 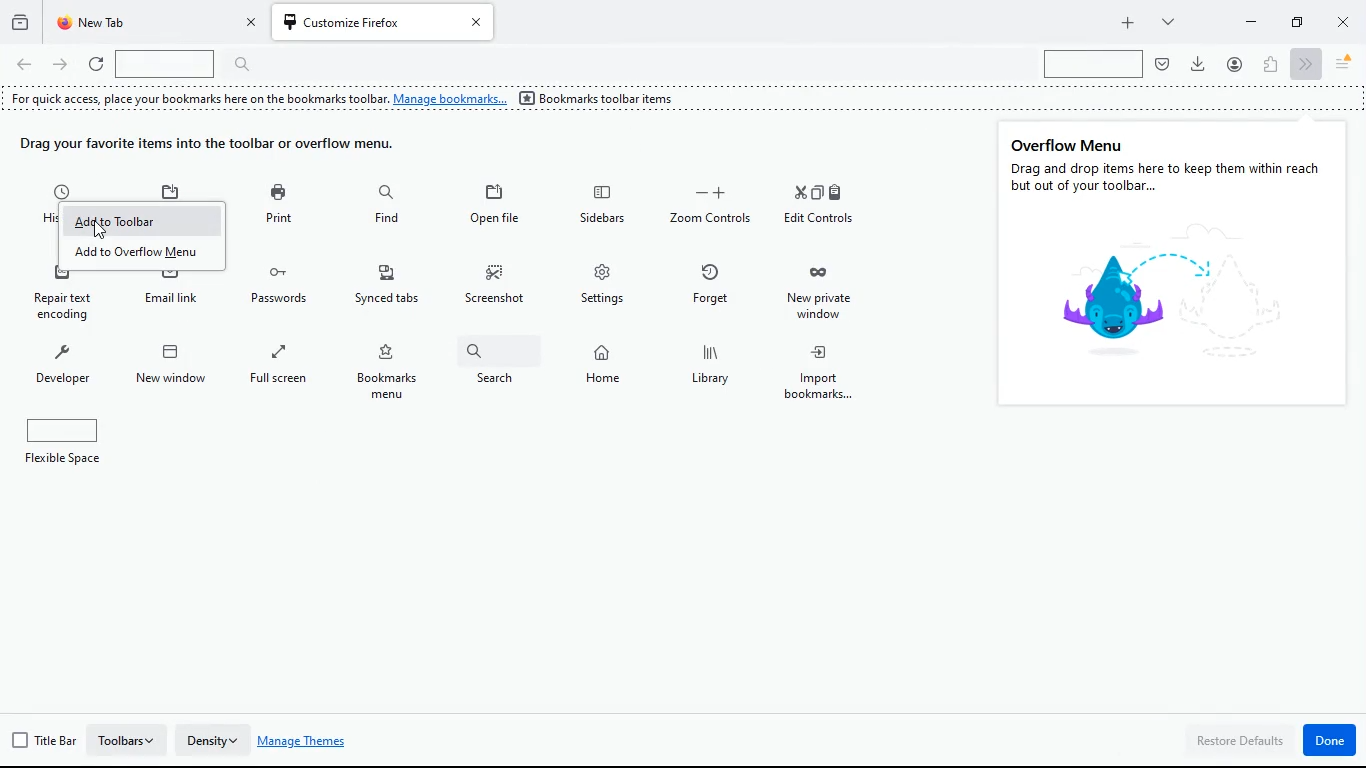 I want to click on new private window, so click(x=828, y=292).